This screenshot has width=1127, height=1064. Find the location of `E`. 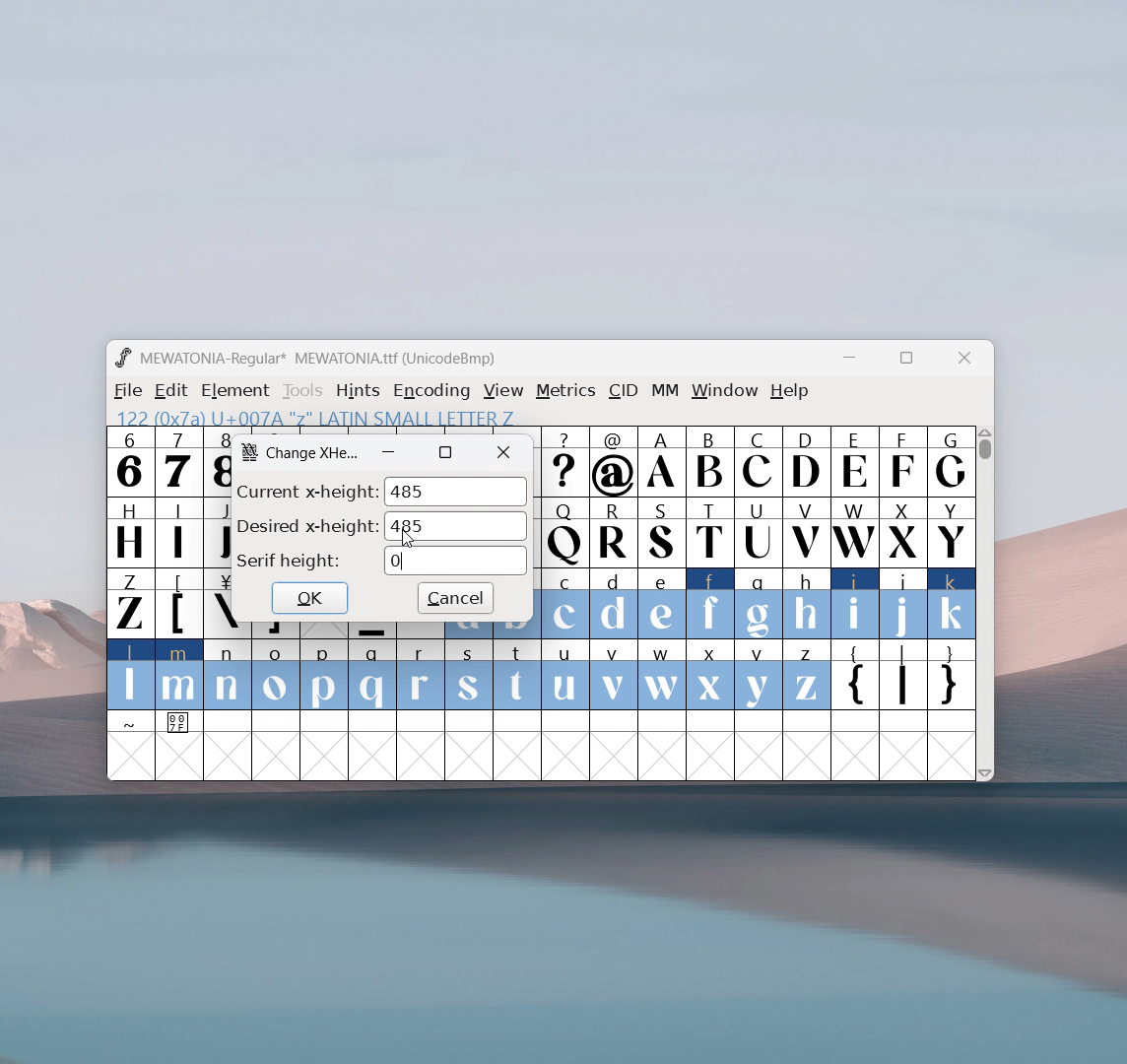

E is located at coordinates (854, 461).